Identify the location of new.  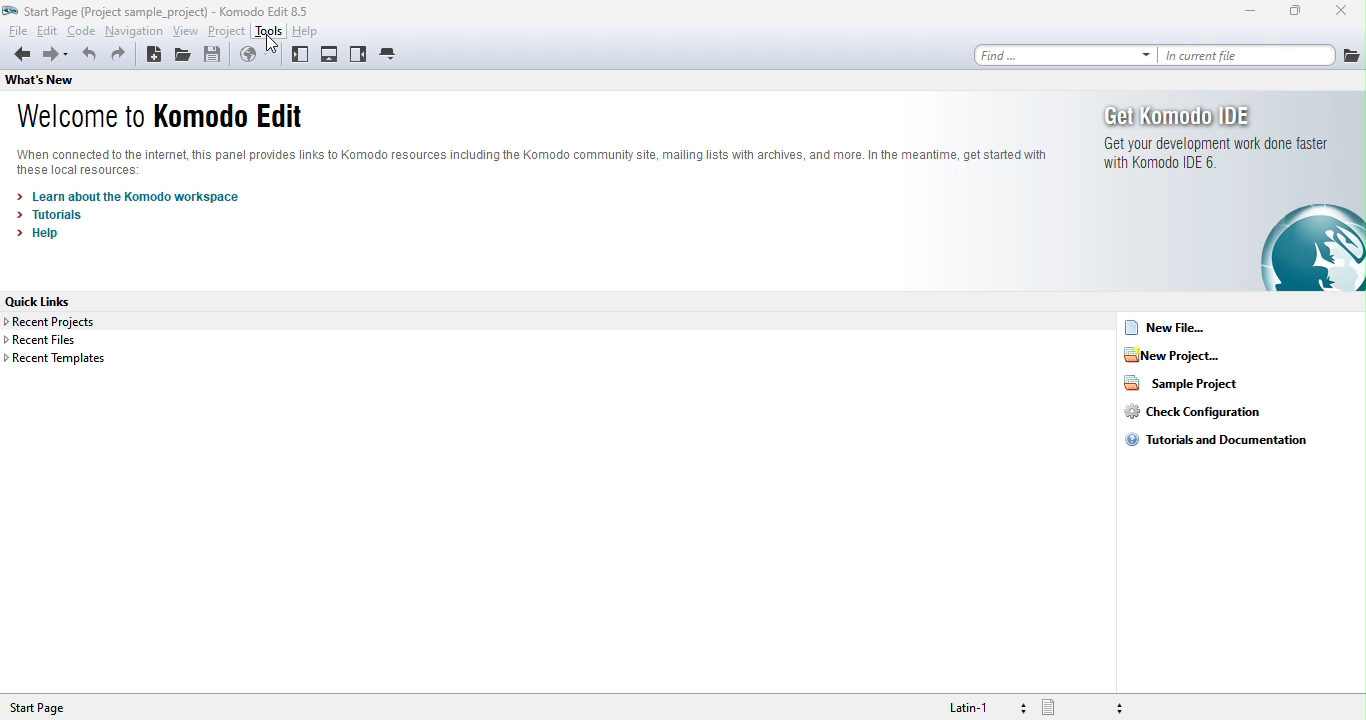
(156, 55).